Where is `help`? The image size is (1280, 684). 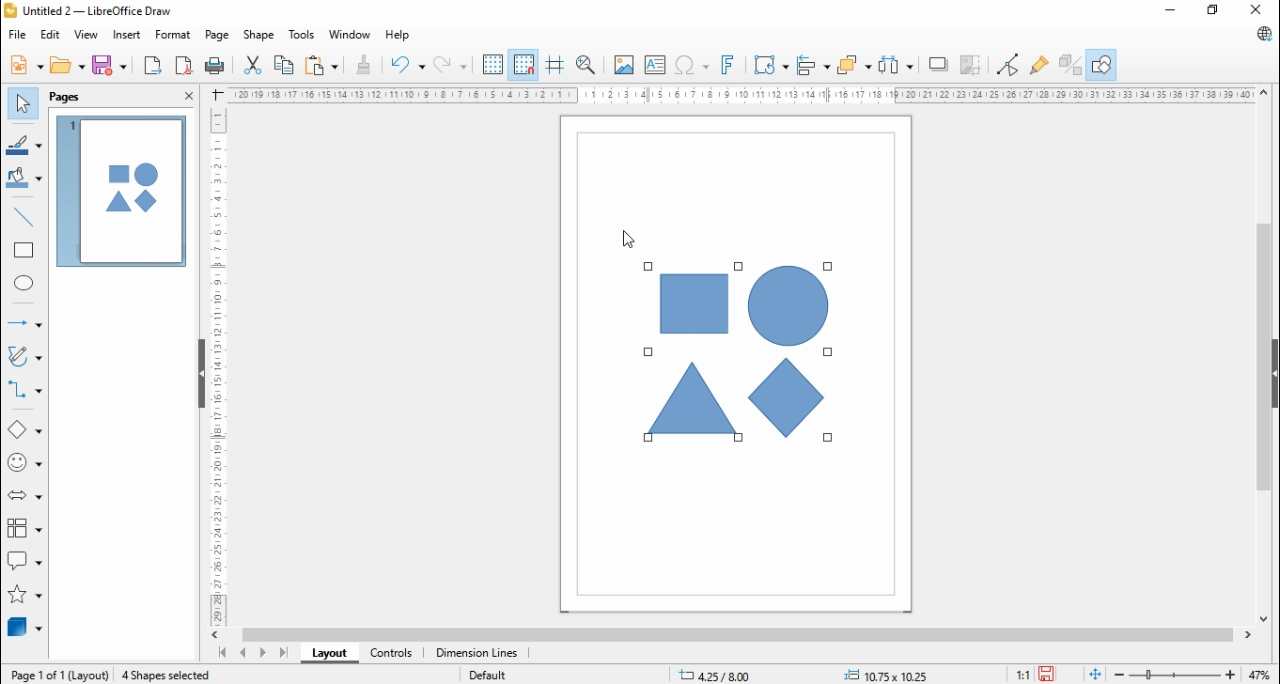
help is located at coordinates (397, 36).